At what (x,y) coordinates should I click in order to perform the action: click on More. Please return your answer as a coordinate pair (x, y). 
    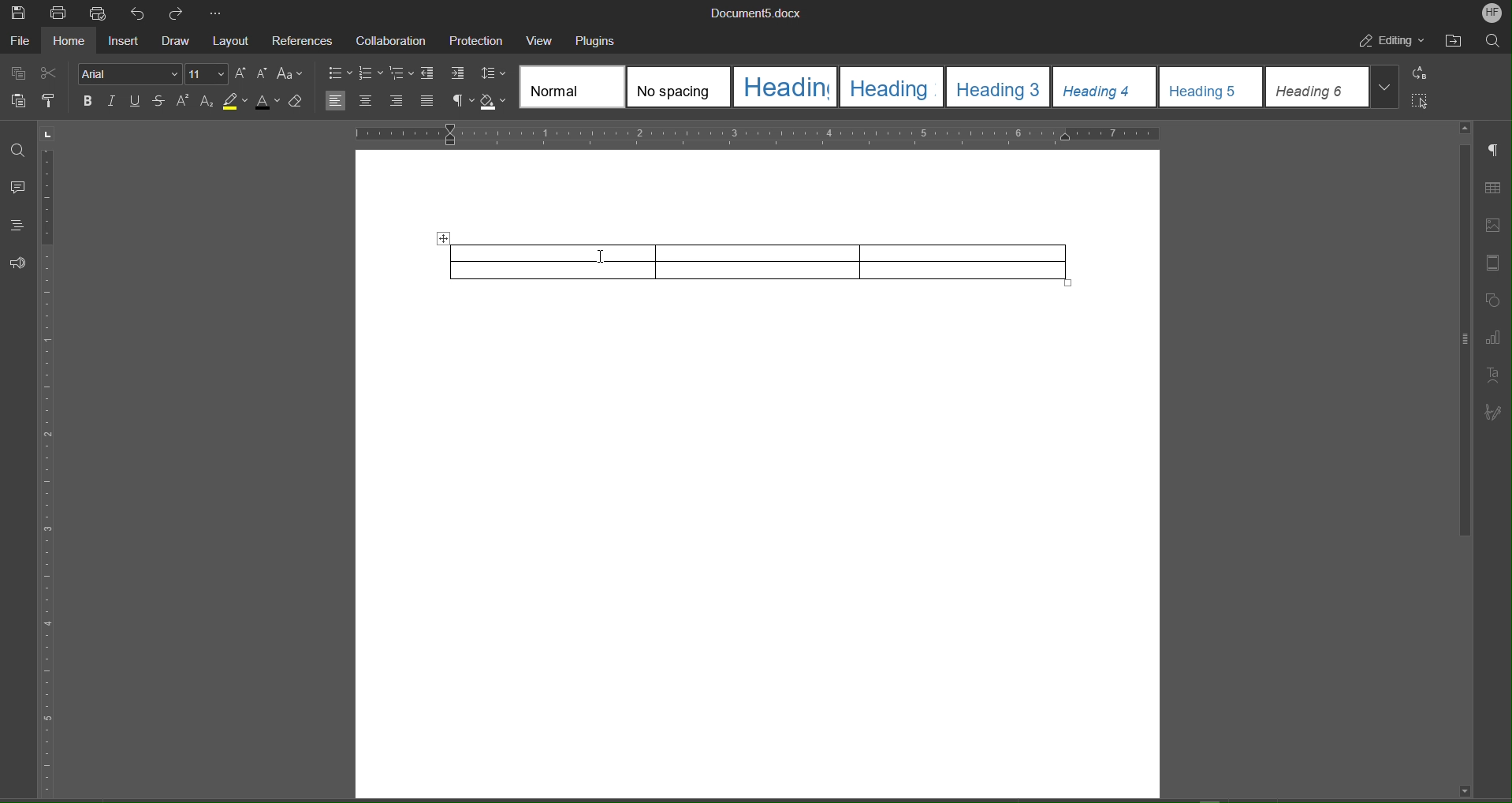
    Looking at the image, I should click on (218, 14).